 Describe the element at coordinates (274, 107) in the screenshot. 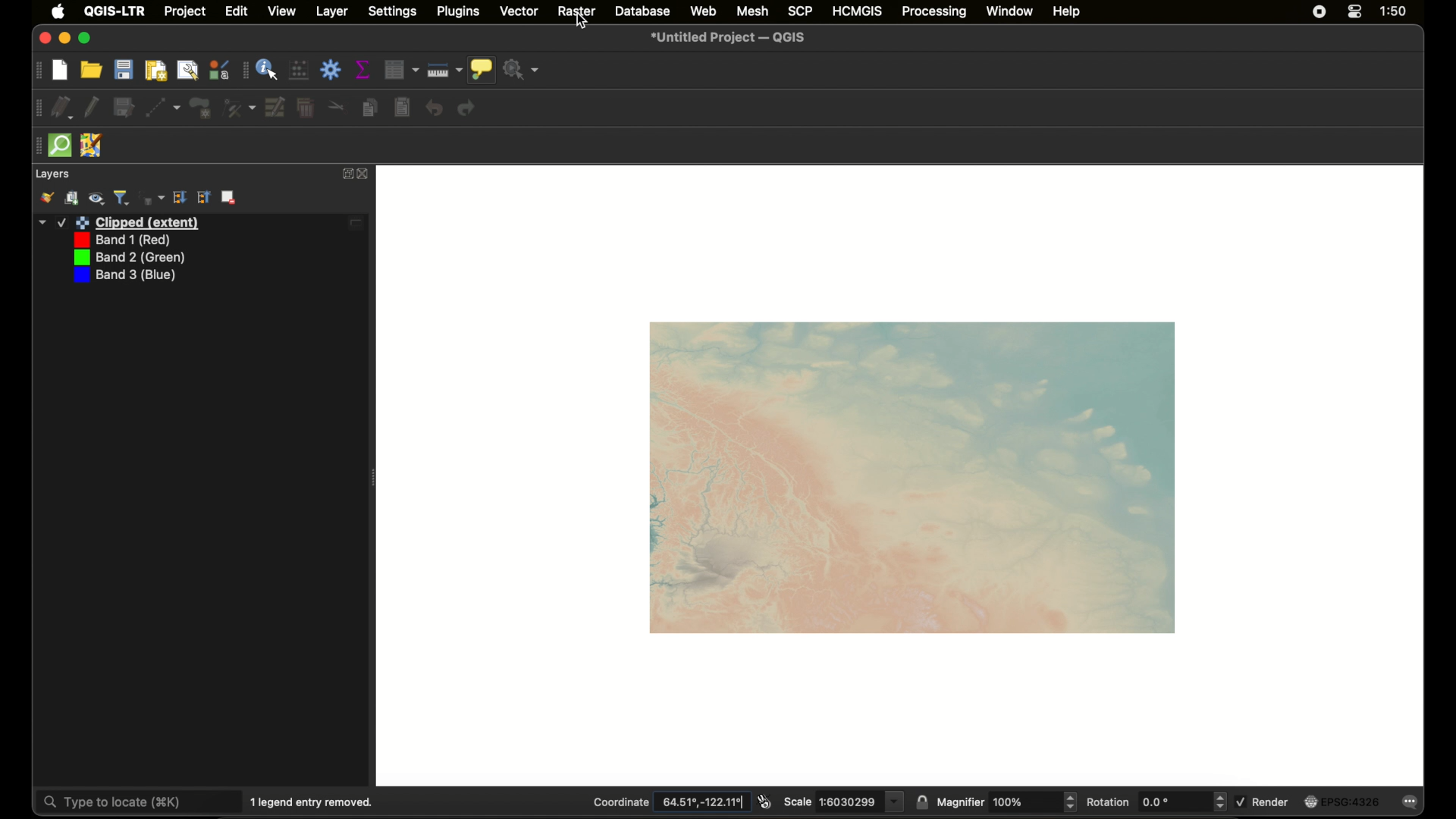

I see `modify attributes` at that location.